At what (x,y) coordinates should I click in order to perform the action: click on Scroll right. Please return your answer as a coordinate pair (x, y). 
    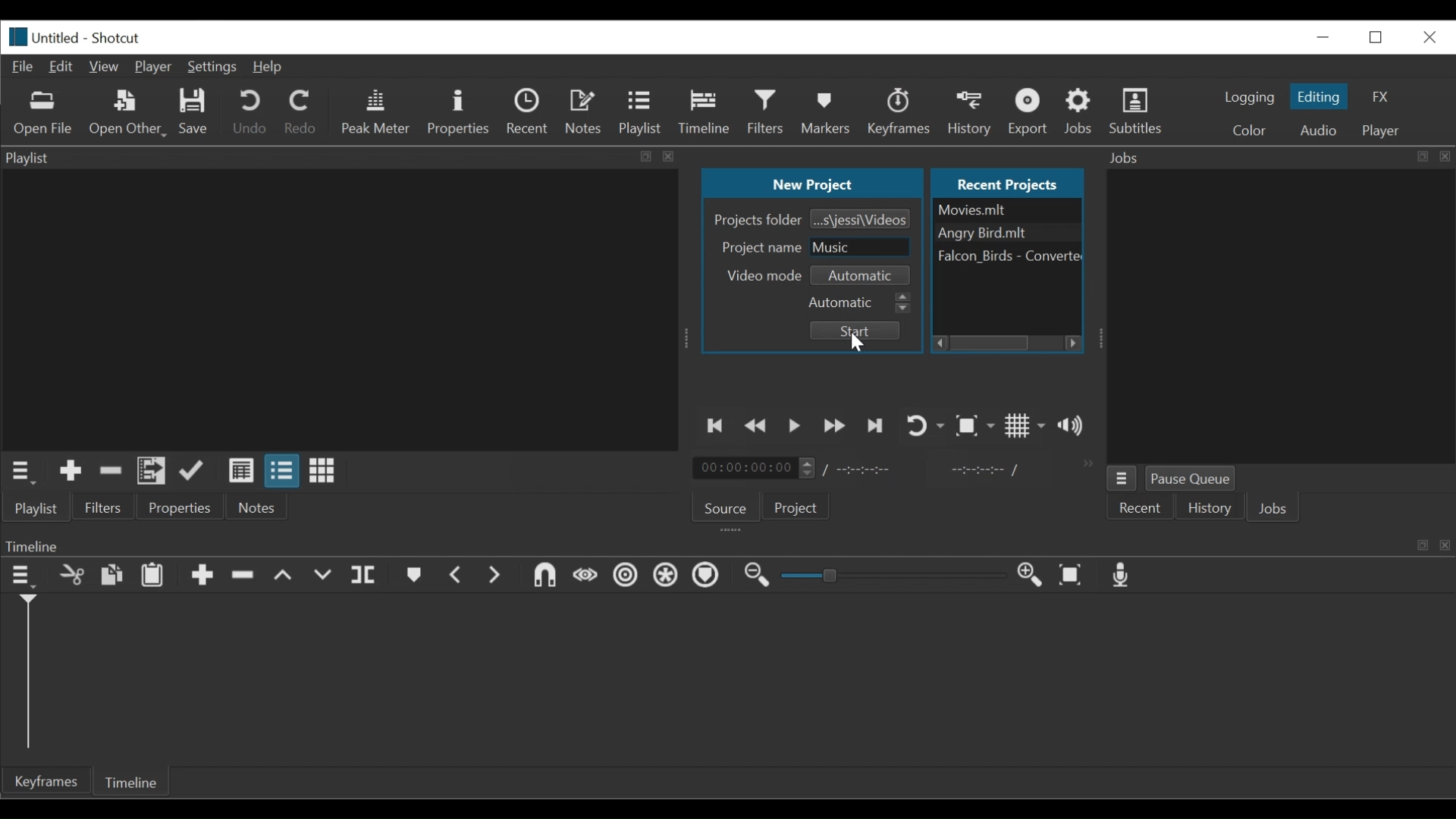
    Looking at the image, I should click on (1075, 343).